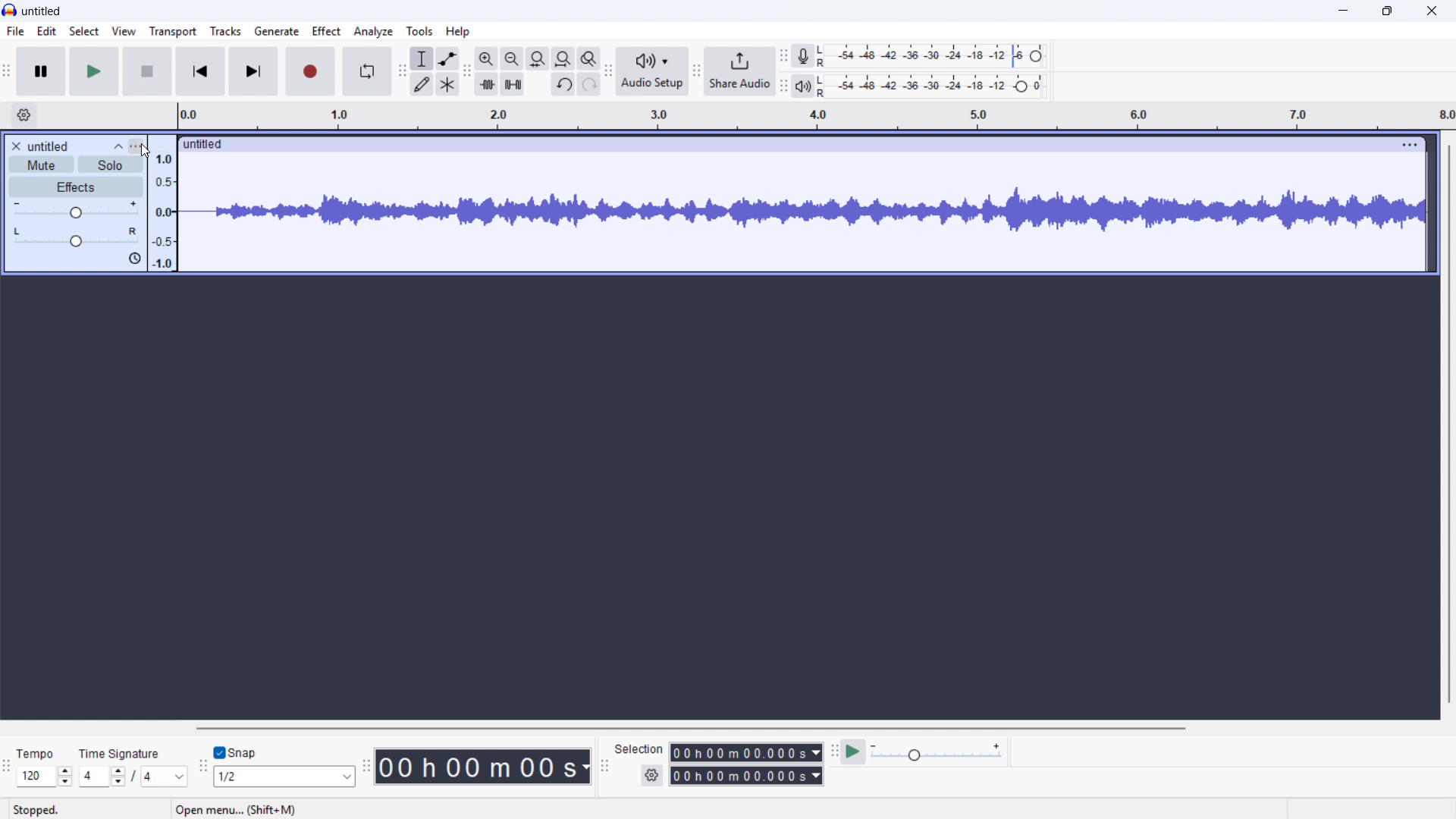 This screenshot has height=819, width=1456. I want to click on Timeline settings , so click(24, 116).